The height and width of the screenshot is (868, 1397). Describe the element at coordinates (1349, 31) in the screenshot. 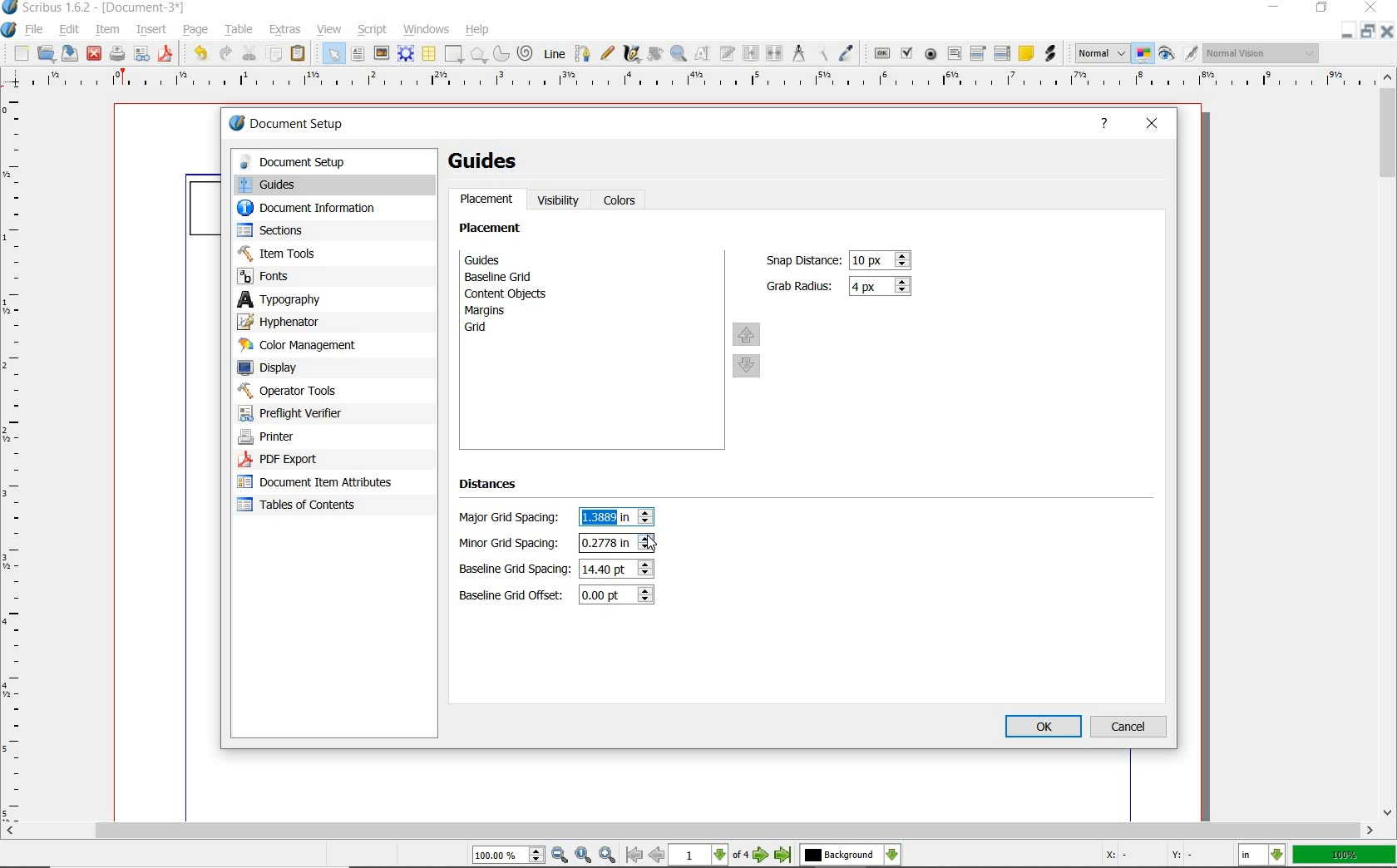

I see `minimize` at that location.